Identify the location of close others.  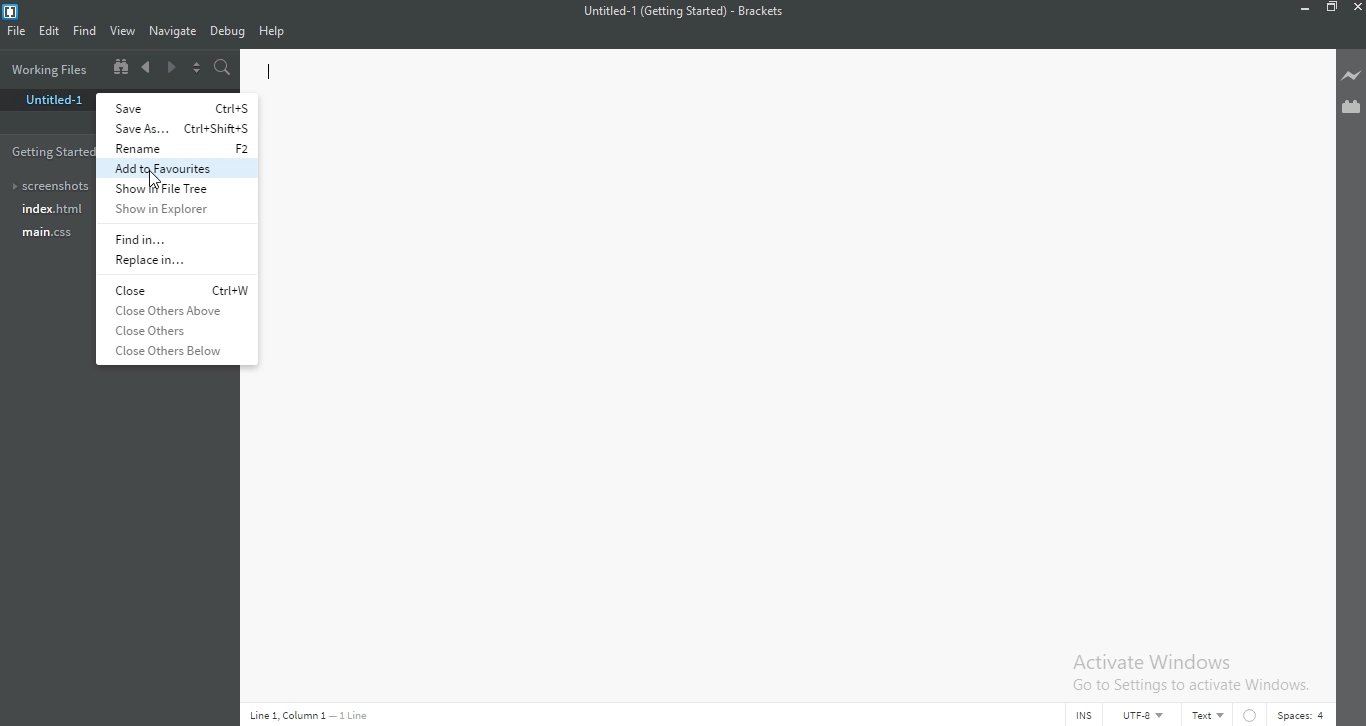
(180, 332).